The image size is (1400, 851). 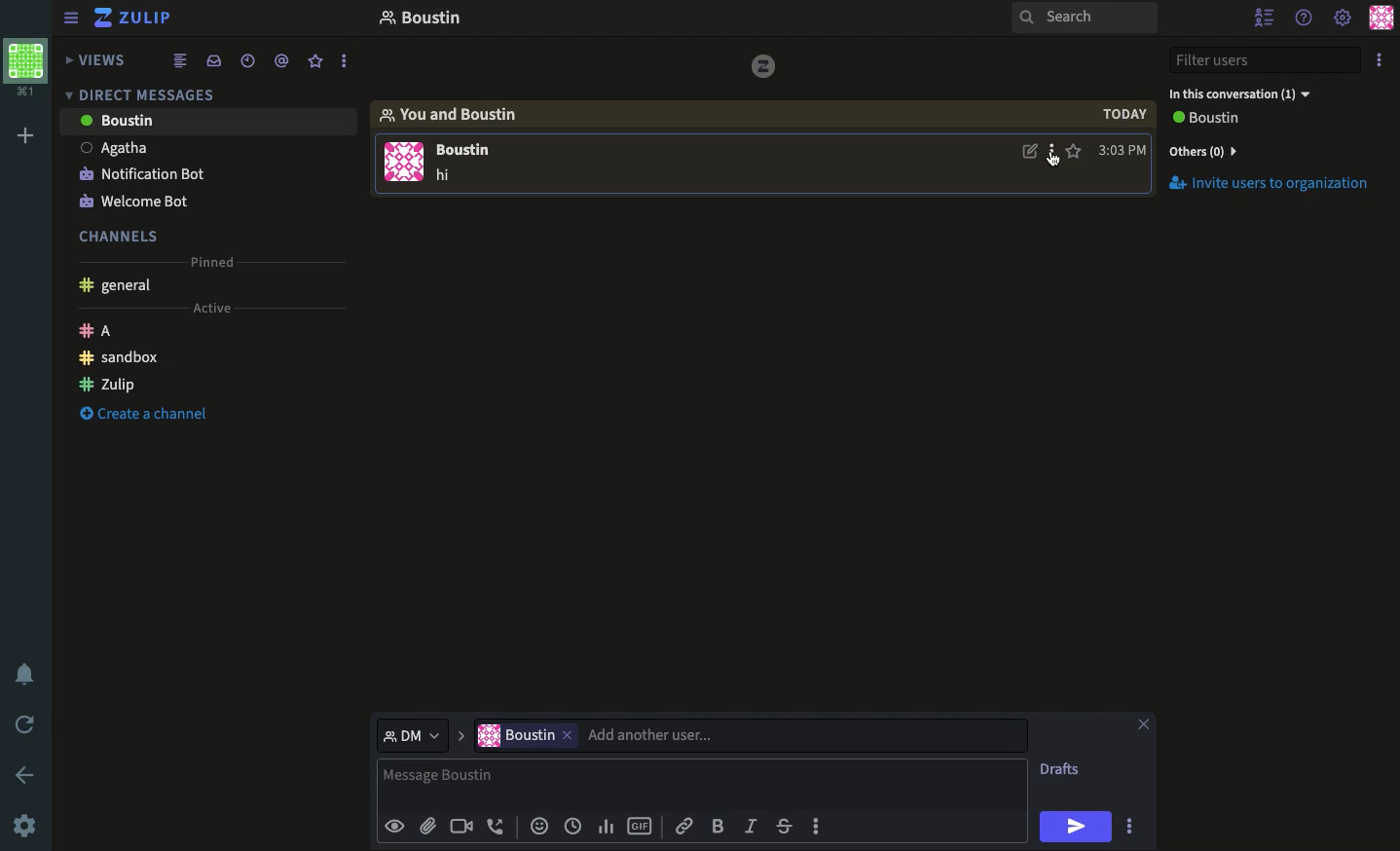 I want to click on DM, so click(x=145, y=93).